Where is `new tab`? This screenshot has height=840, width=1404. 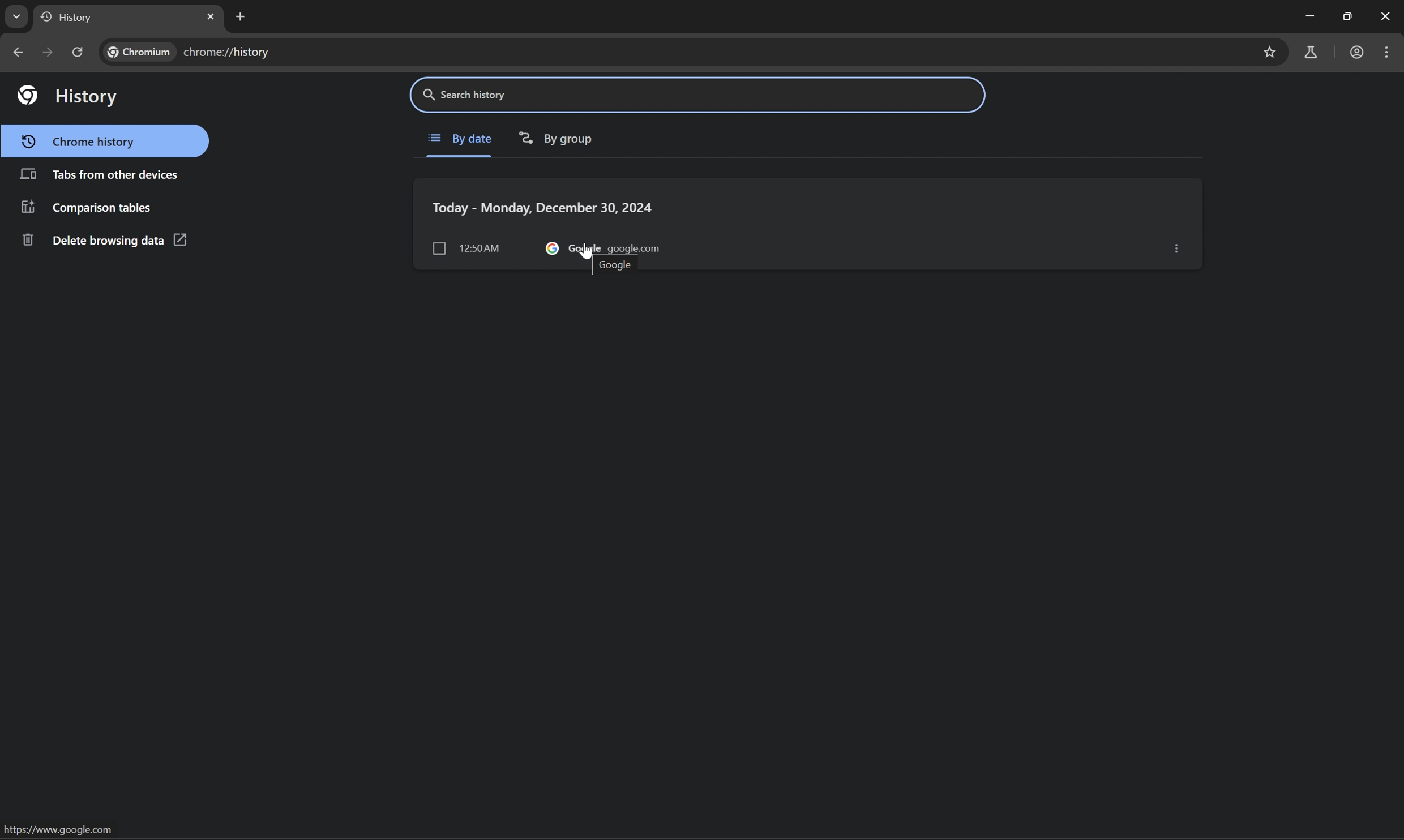
new tab is located at coordinates (239, 17).